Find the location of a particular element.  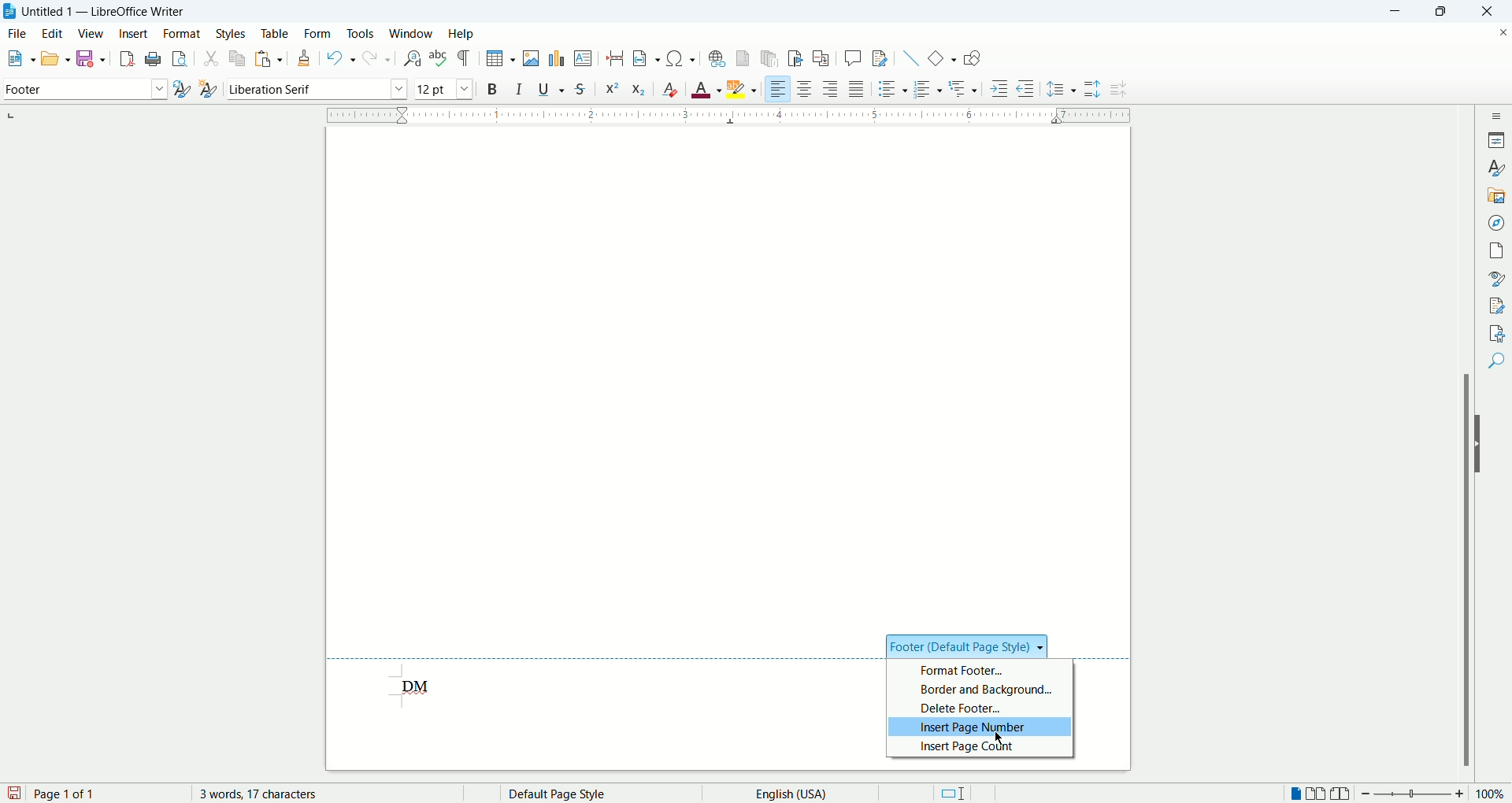

book view is located at coordinates (1341, 794).